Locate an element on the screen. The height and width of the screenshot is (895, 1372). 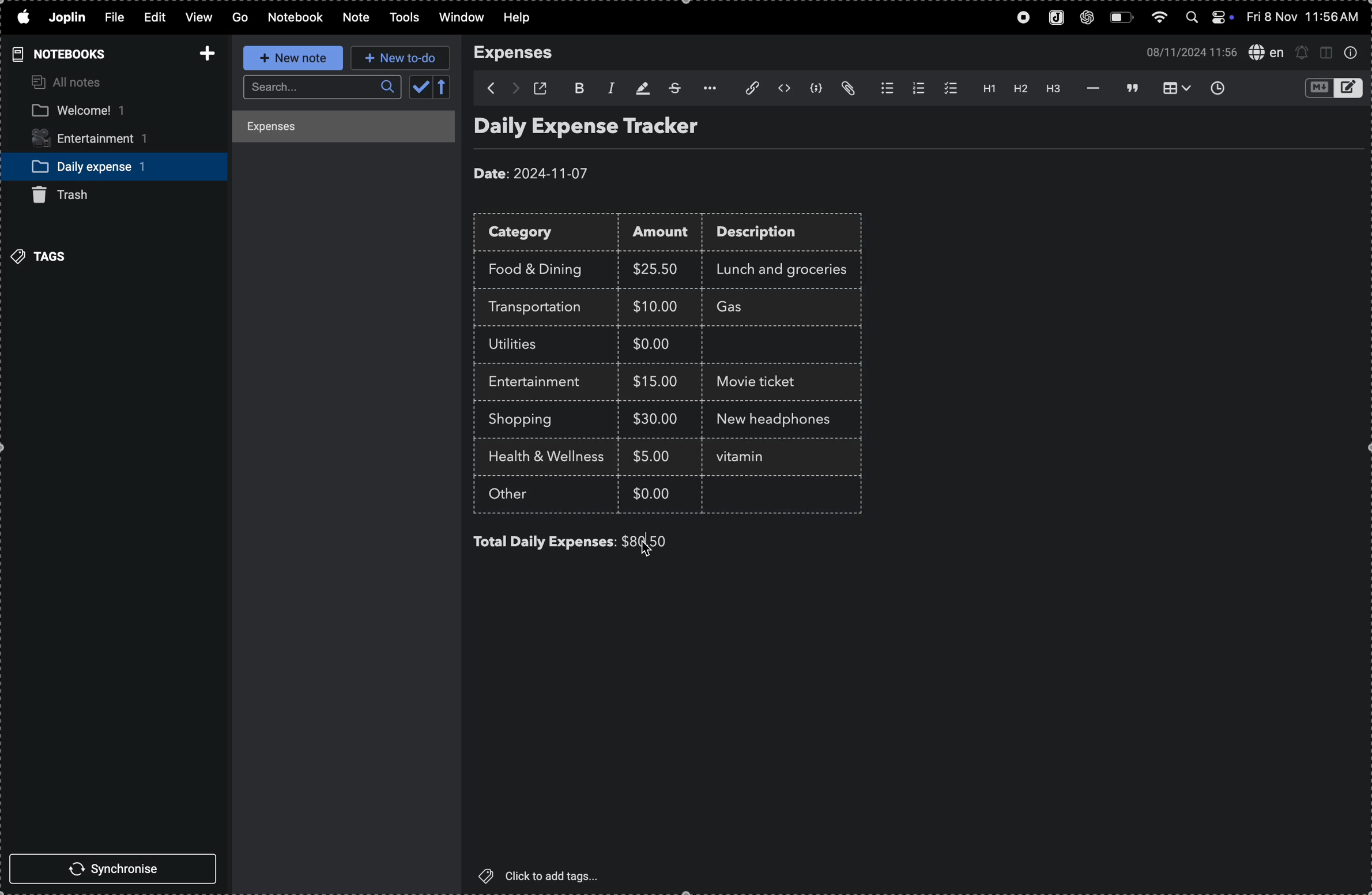
attach file is located at coordinates (745, 89).